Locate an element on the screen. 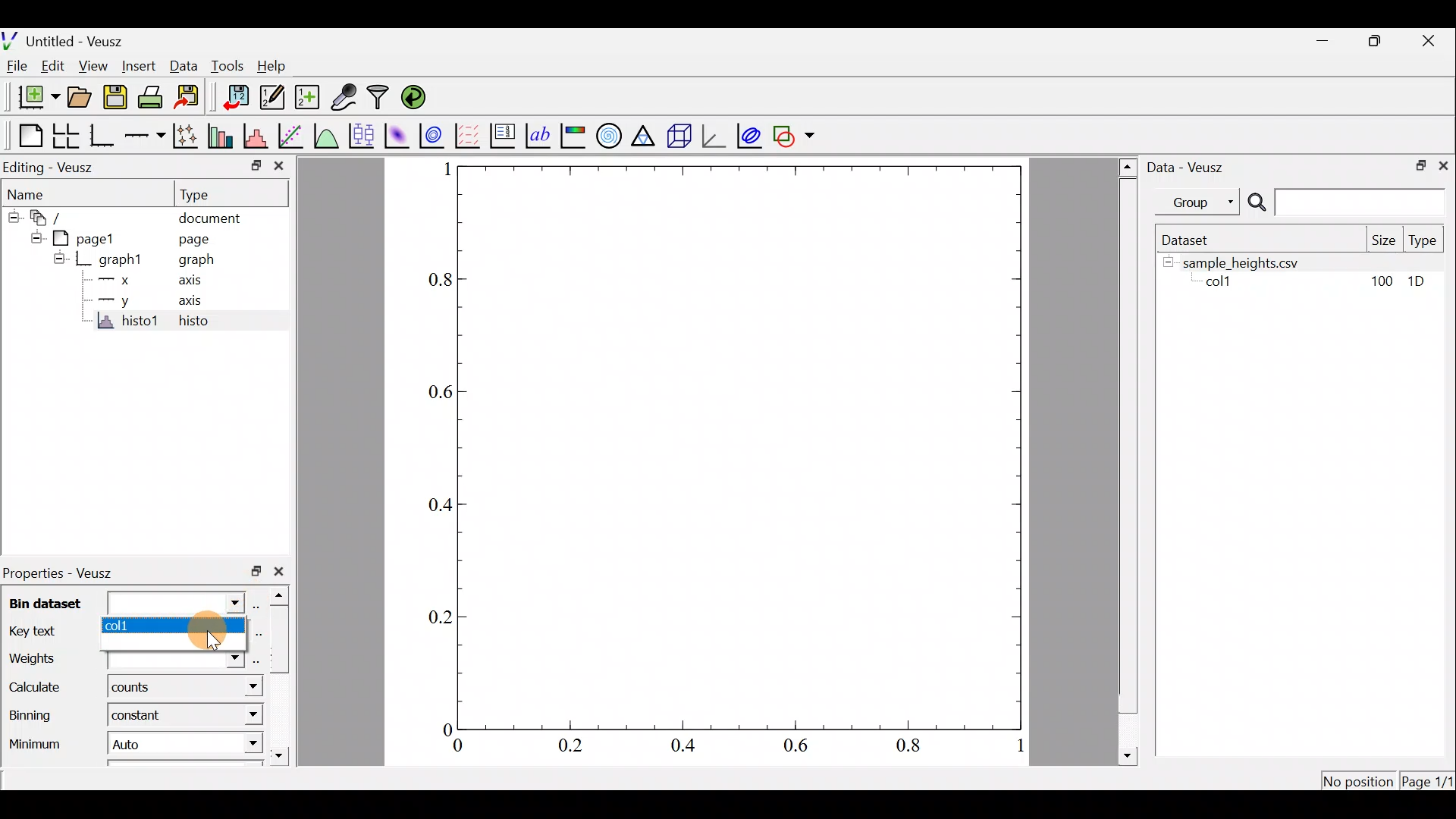 The height and width of the screenshot is (819, 1456). 0.8 is located at coordinates (913, 748).